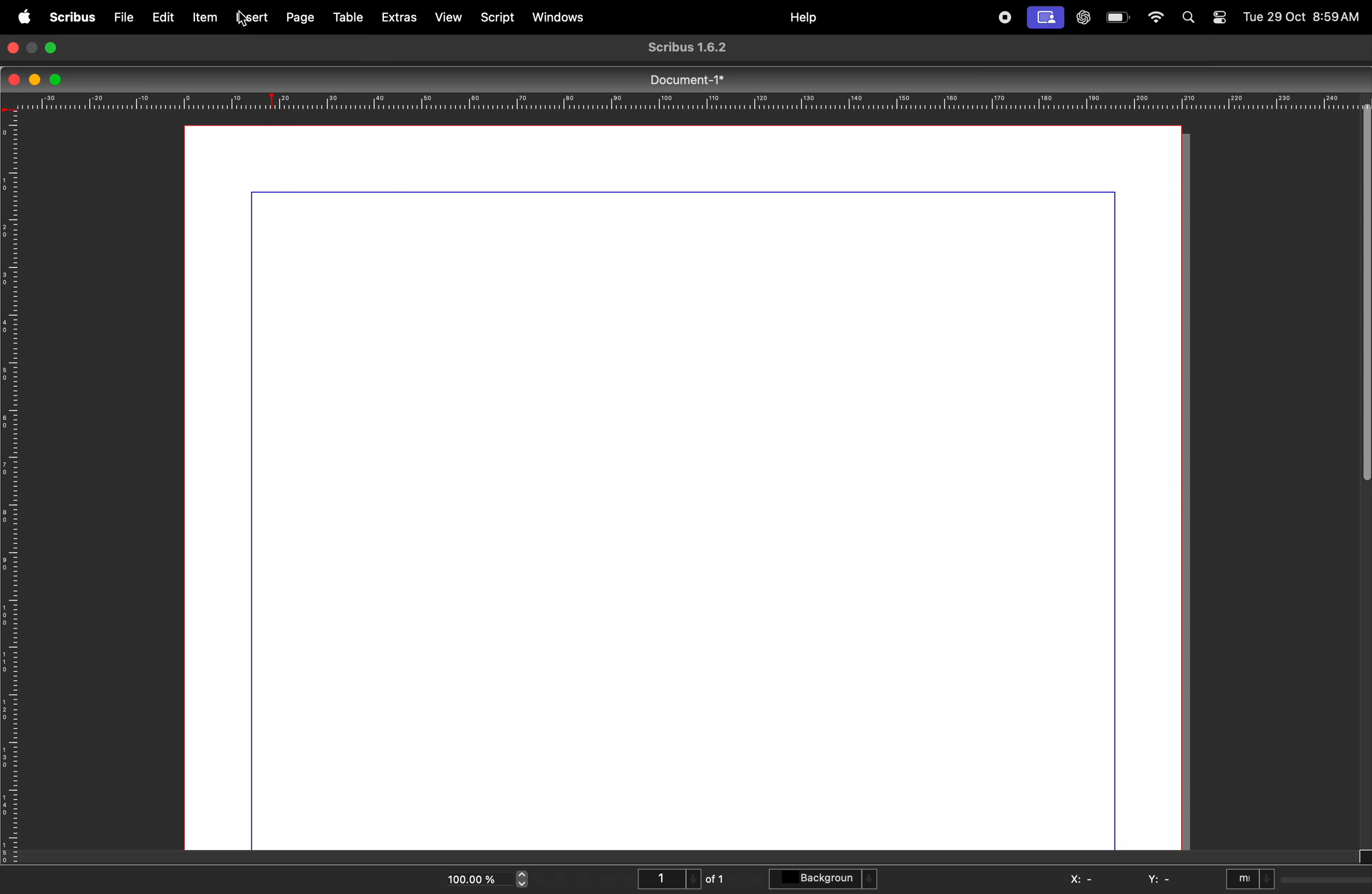 The width and height of the screenshot is (1372, 894). I want to click on background, so click(826, 880).